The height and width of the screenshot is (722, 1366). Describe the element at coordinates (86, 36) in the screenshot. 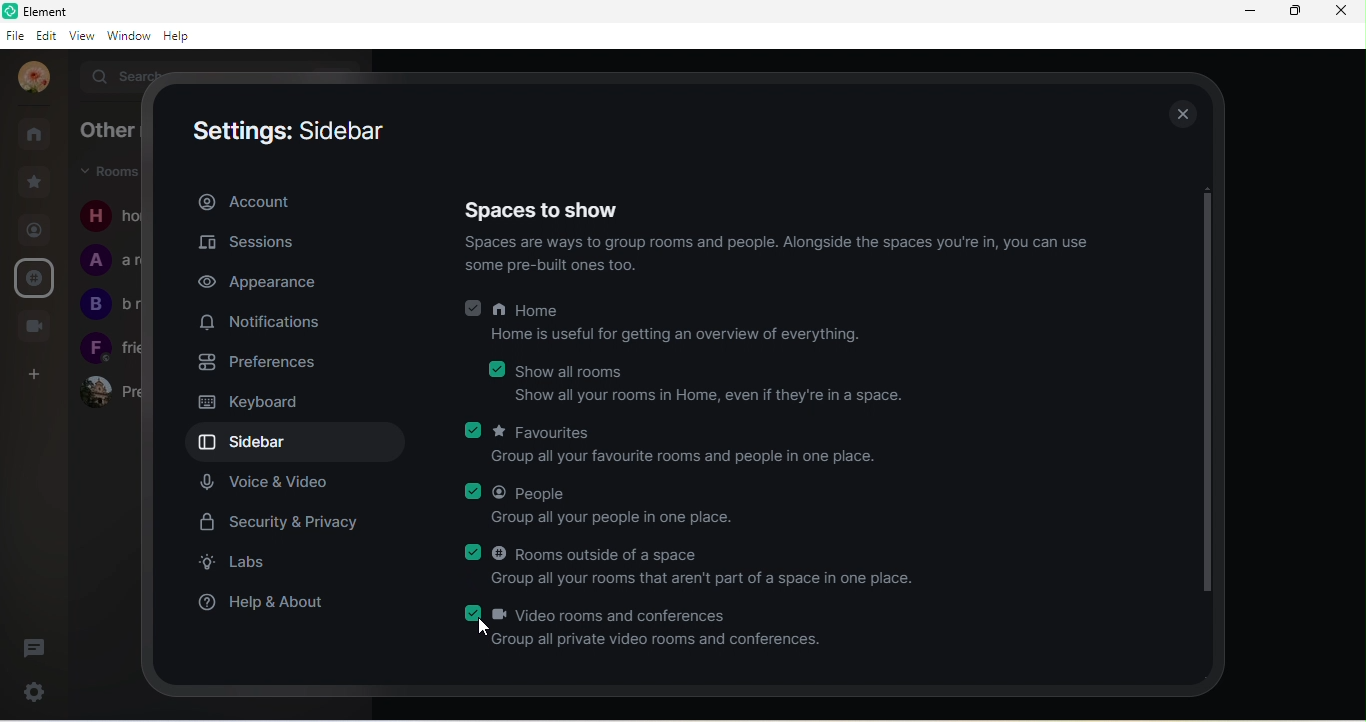

I see `view` at that location.